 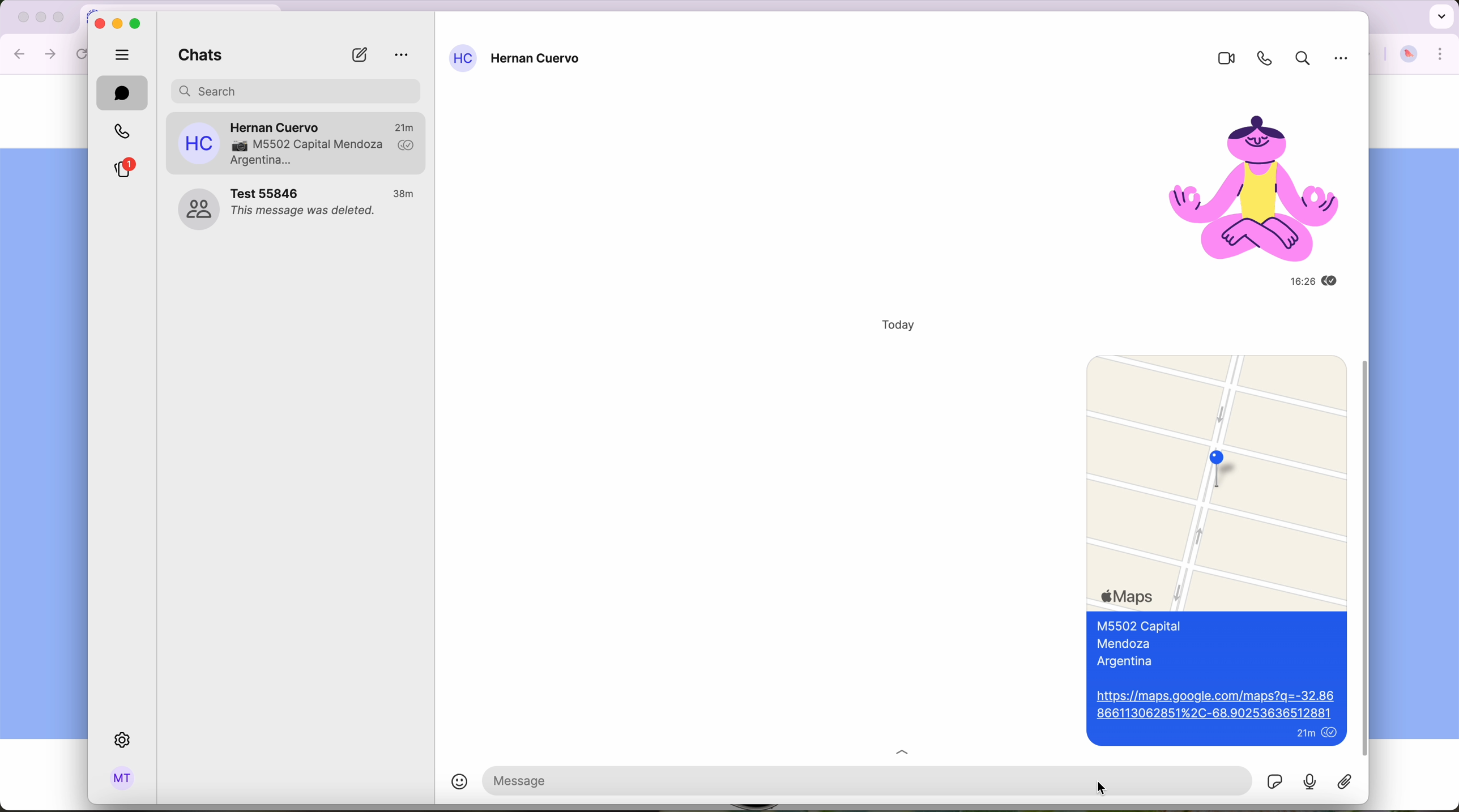 I want to click on map, so click(x=1216, y=479).